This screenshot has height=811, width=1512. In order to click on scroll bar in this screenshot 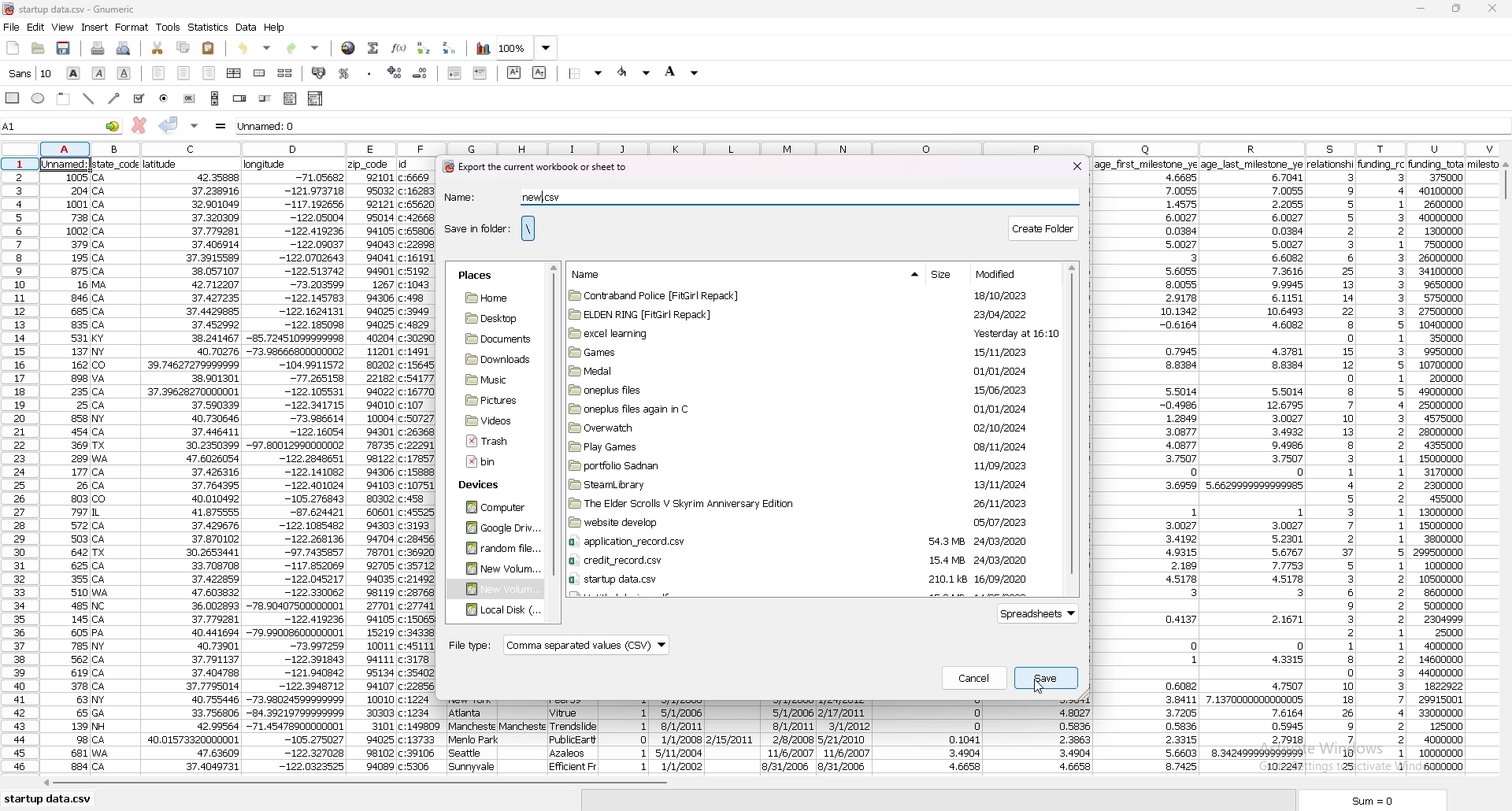, I will do `click(1072, 428)`.